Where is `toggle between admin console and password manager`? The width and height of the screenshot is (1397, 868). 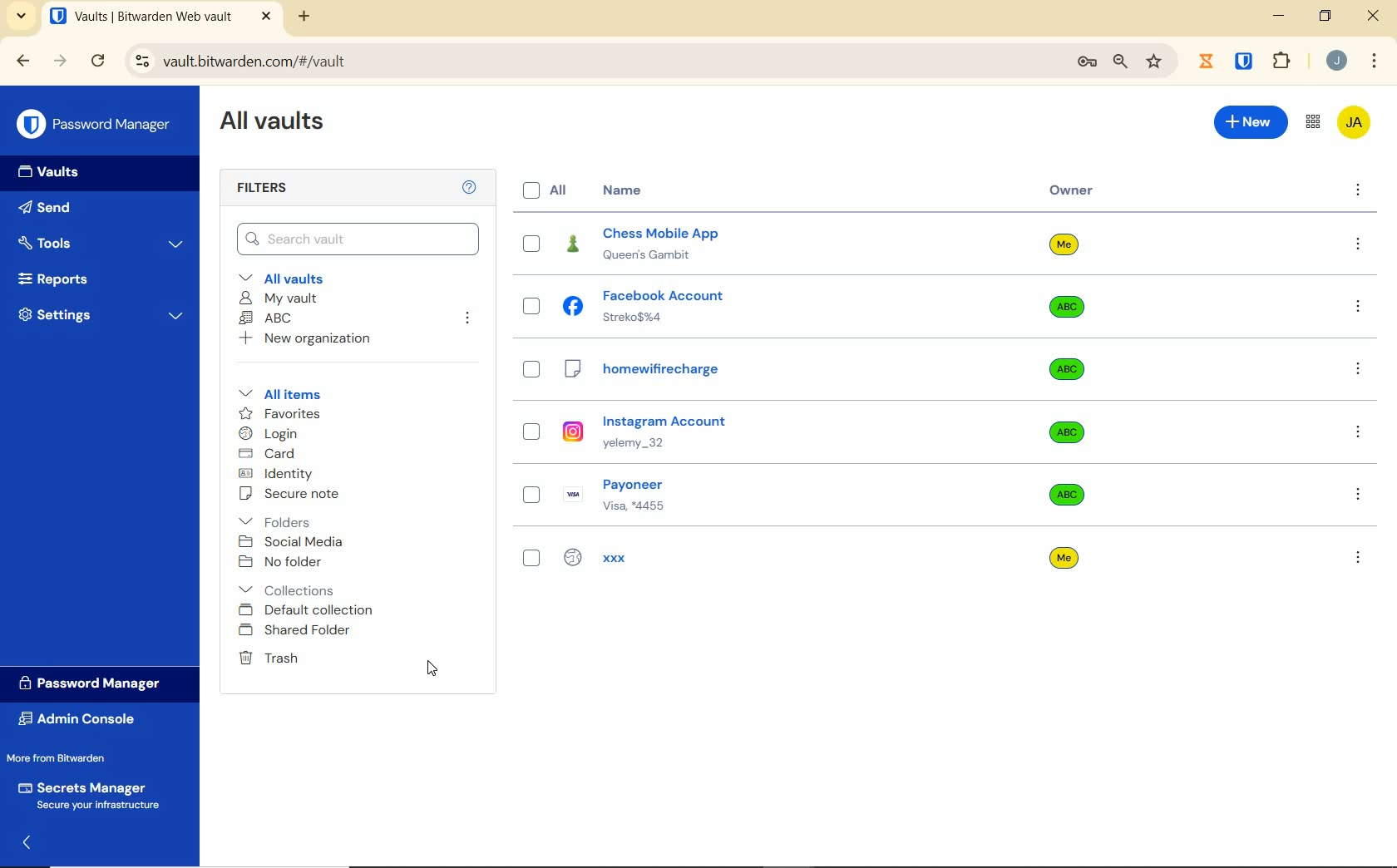
toggle between admin console and password manager is located at coordinates (1312, 121).